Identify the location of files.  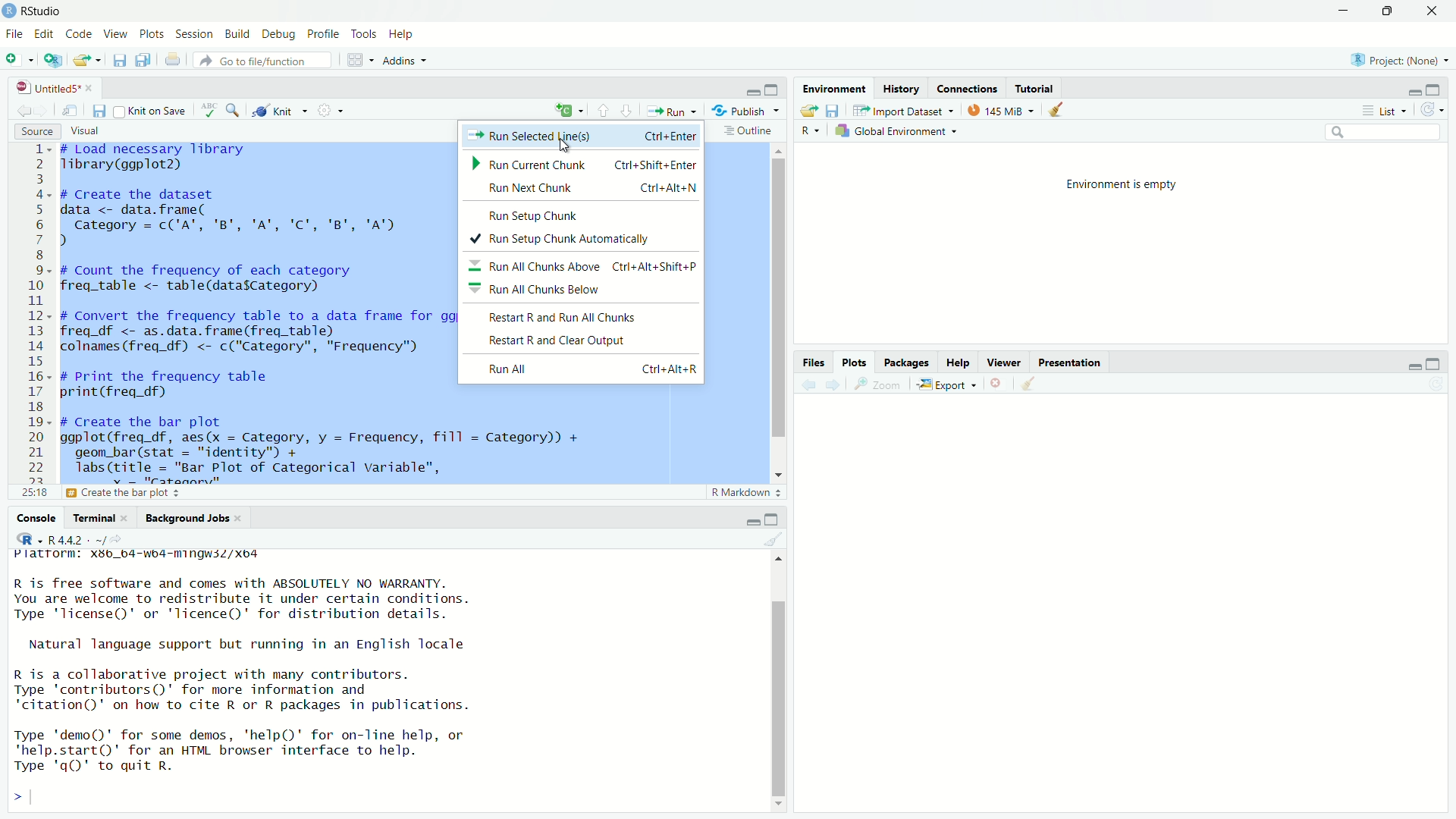
(815, 363).